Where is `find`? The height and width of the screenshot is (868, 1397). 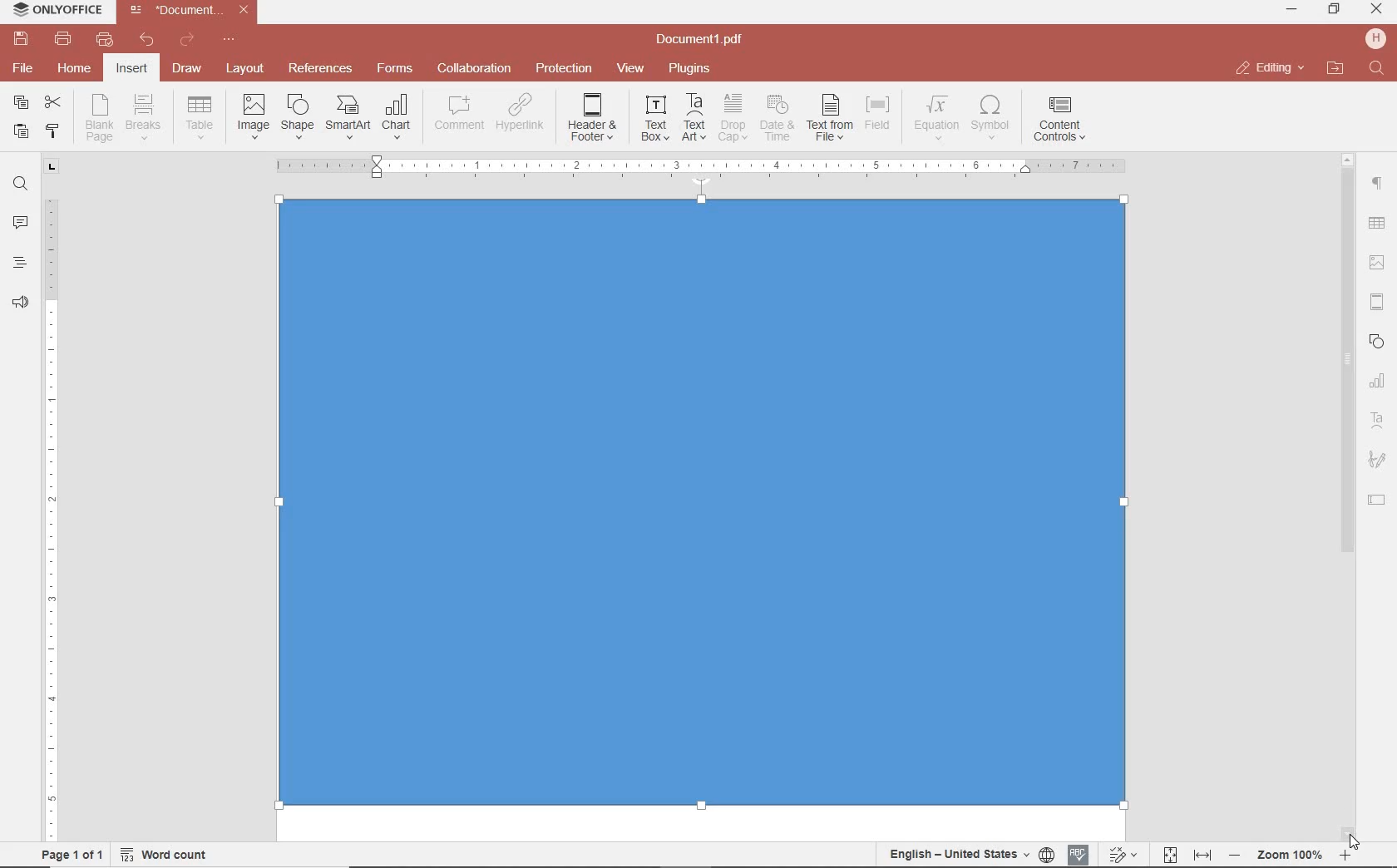
find is located at coordinates (1379, 69).